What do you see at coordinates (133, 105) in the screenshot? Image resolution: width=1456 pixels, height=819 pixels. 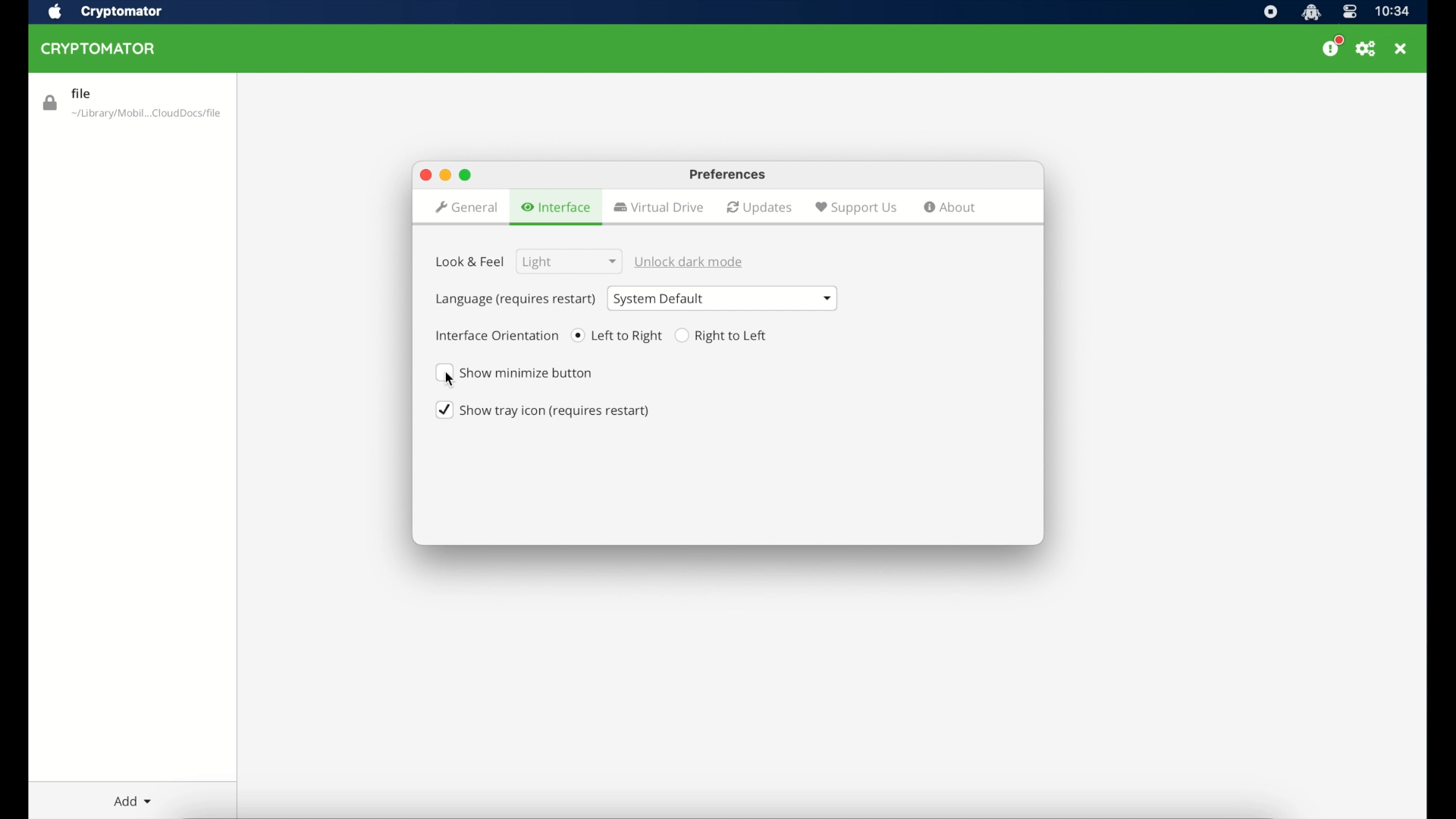 I see `vault` at bounding box center [133, 105].